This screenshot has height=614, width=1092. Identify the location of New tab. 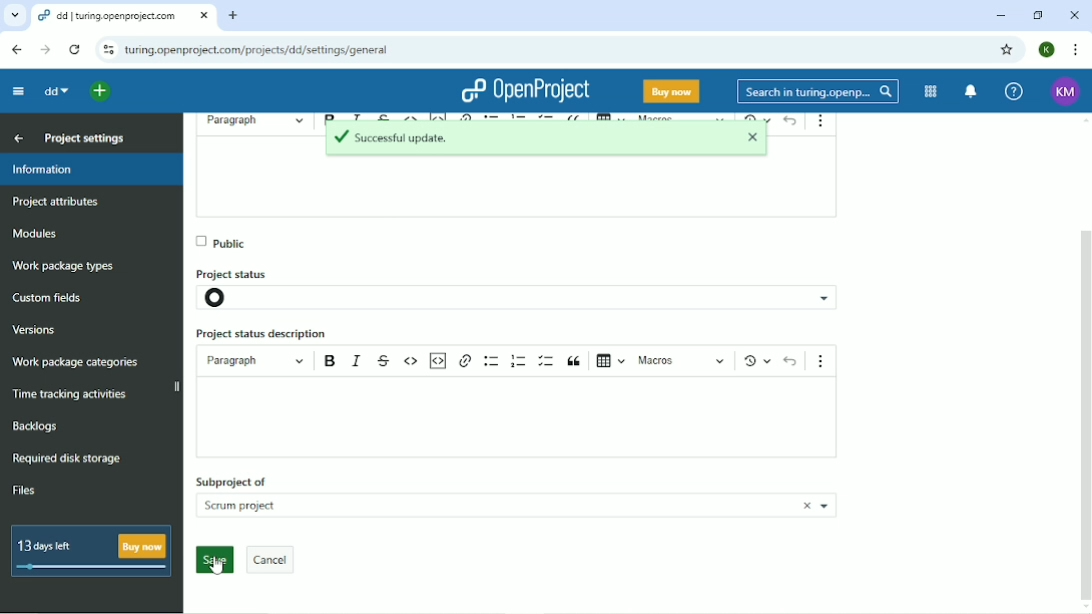
(235, 16).